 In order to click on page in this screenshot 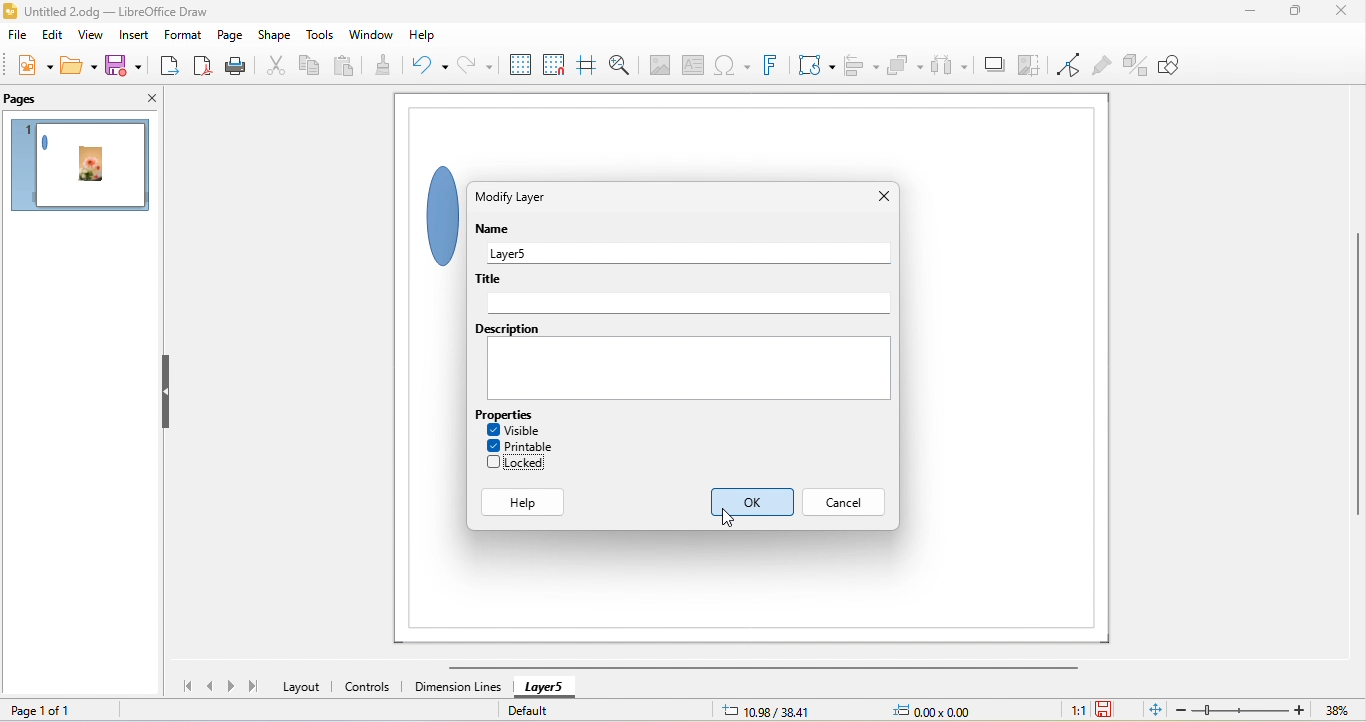, I will do `click(233, 35)`.